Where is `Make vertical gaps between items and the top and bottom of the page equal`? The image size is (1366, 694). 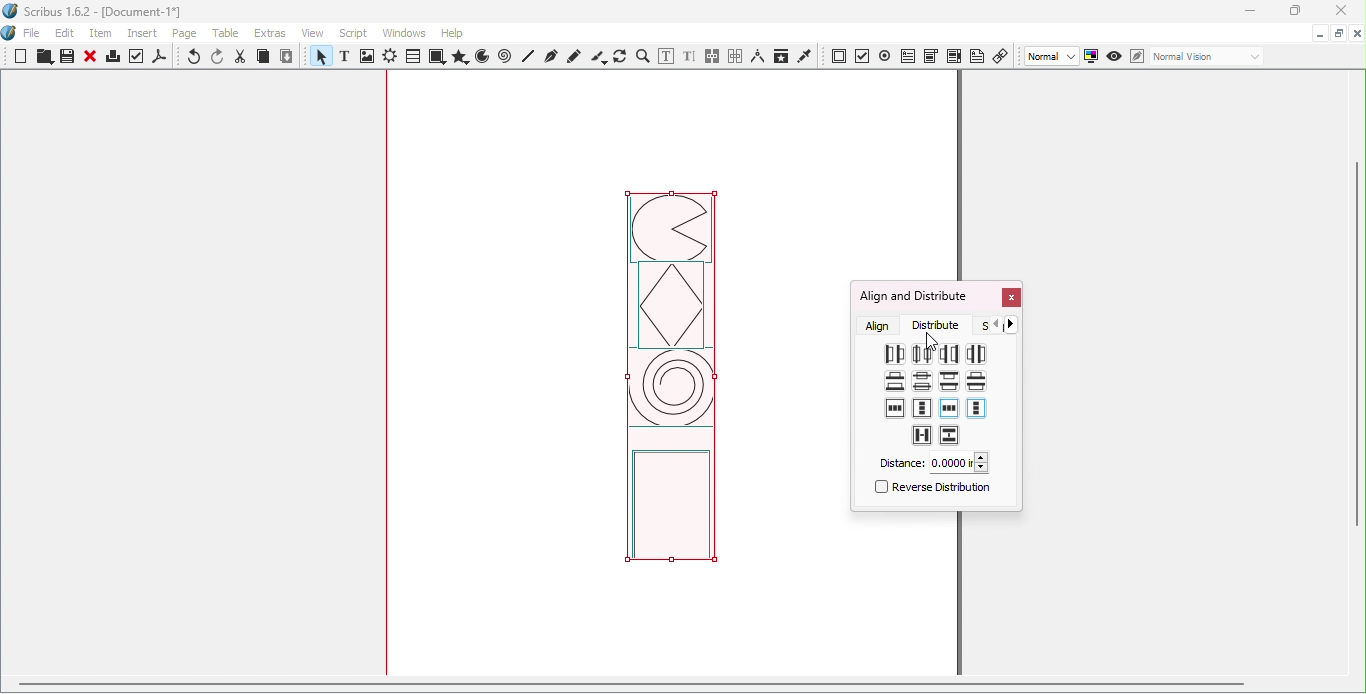 Make vertical gaps between items and the top and bottom of the page equal is located at coordinates (922, 408).